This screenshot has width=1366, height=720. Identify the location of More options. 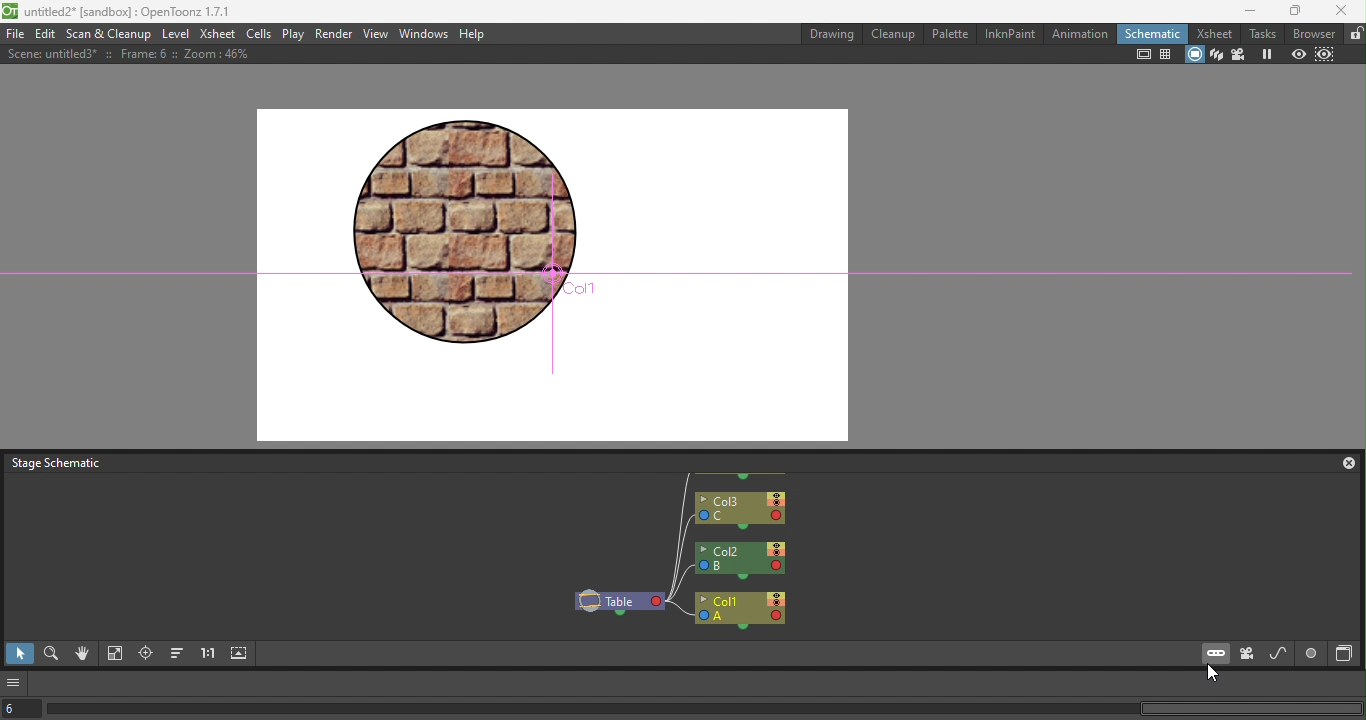
(15, 683).